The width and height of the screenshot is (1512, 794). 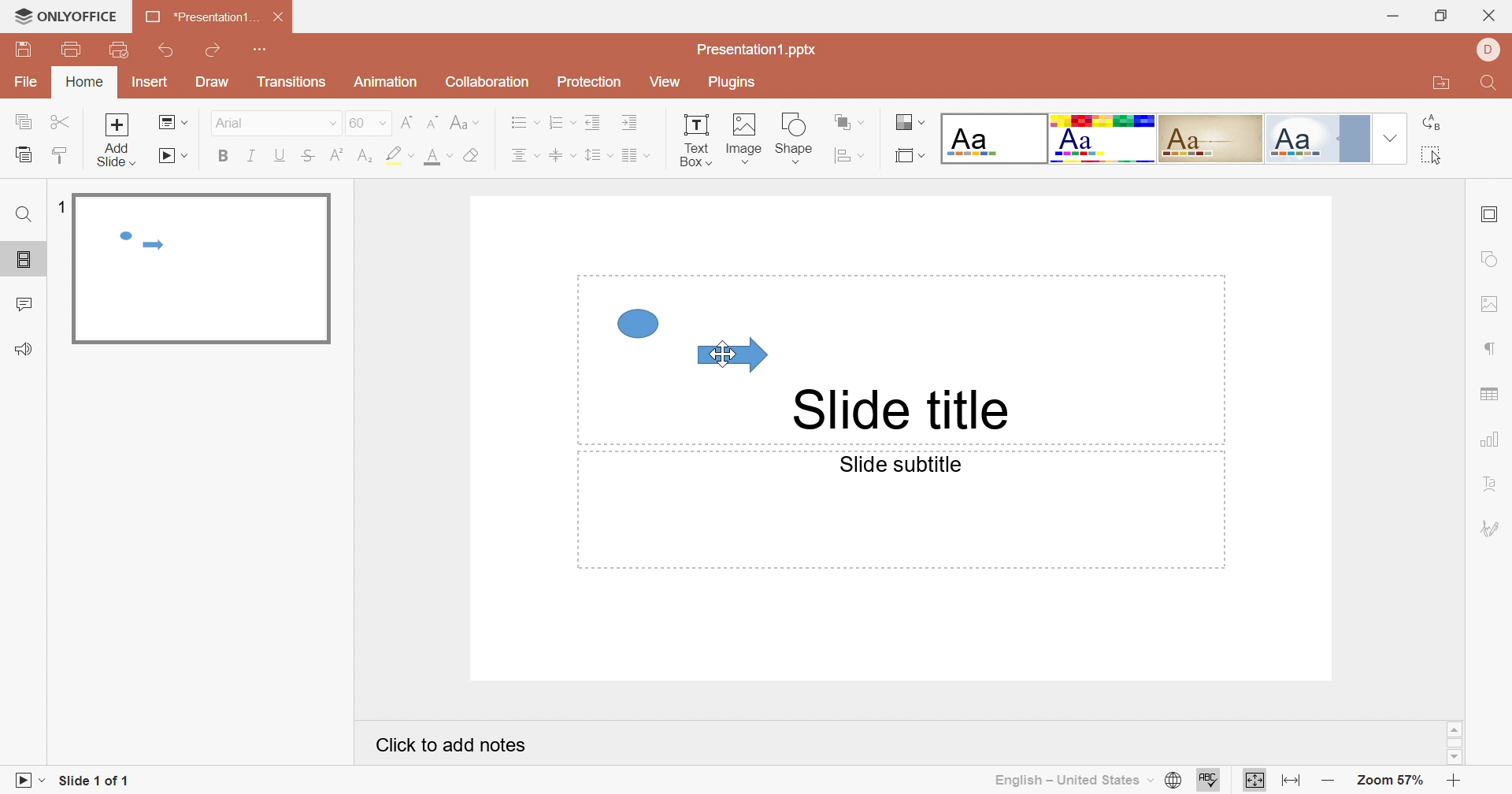 What do you see at coordinates (797, 137) in the screenshot?
I see `Shape` at bounding box center [797, 137].